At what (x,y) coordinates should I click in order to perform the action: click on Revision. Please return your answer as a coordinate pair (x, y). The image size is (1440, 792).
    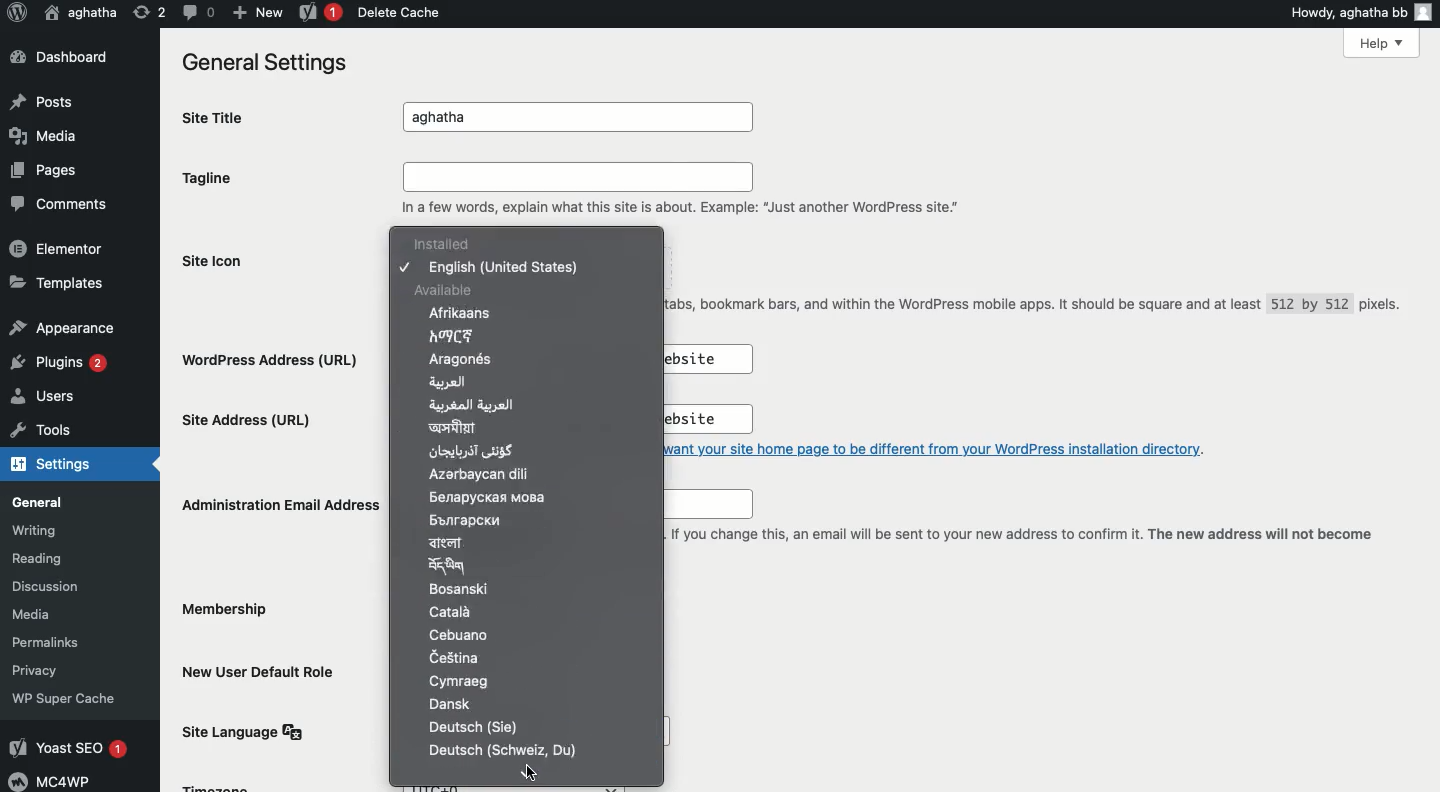
    Looking at the image, I should click on (145, 14).